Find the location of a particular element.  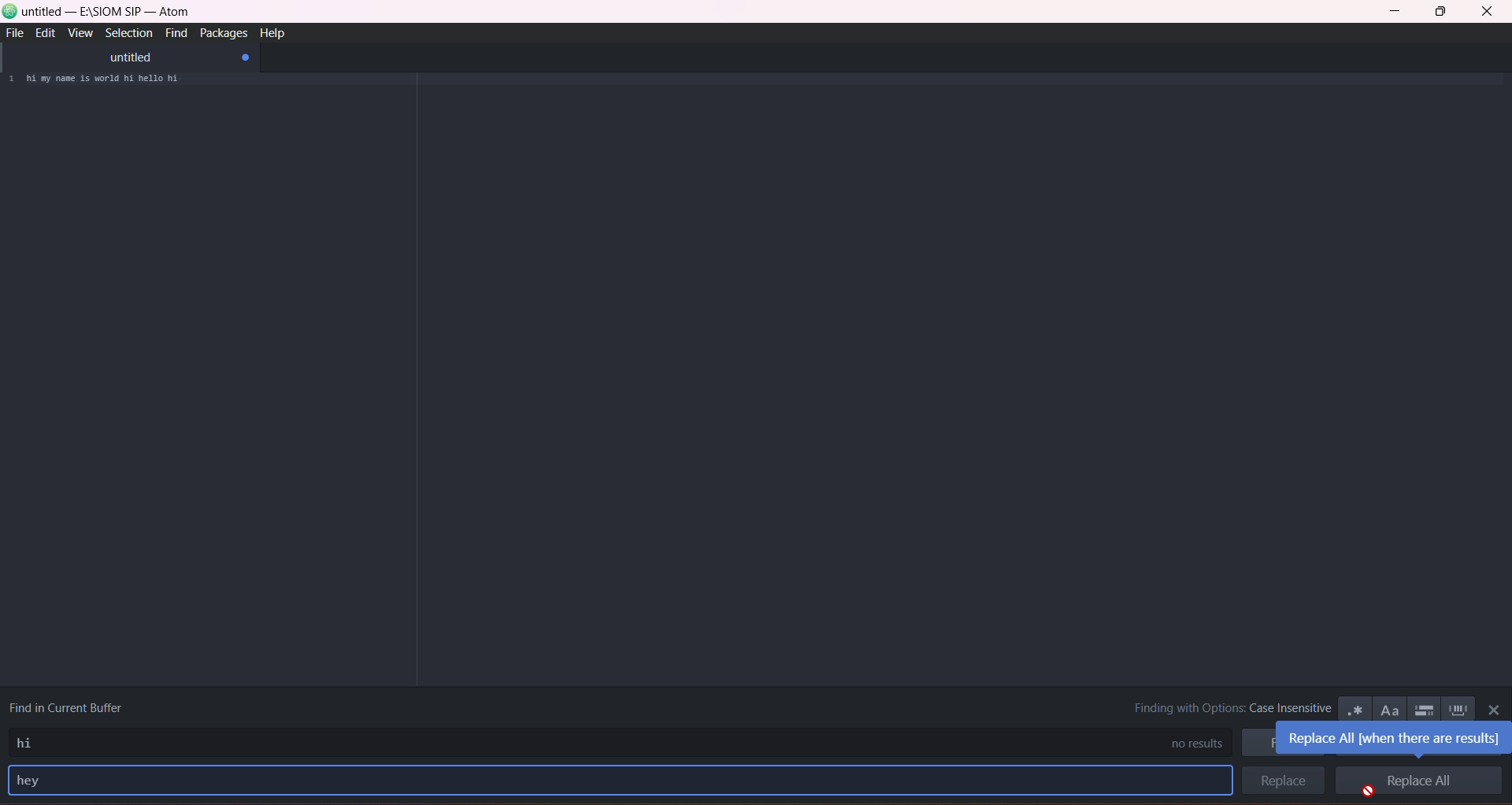

replace all(when there are results) is located at coordinates (1391, 740).